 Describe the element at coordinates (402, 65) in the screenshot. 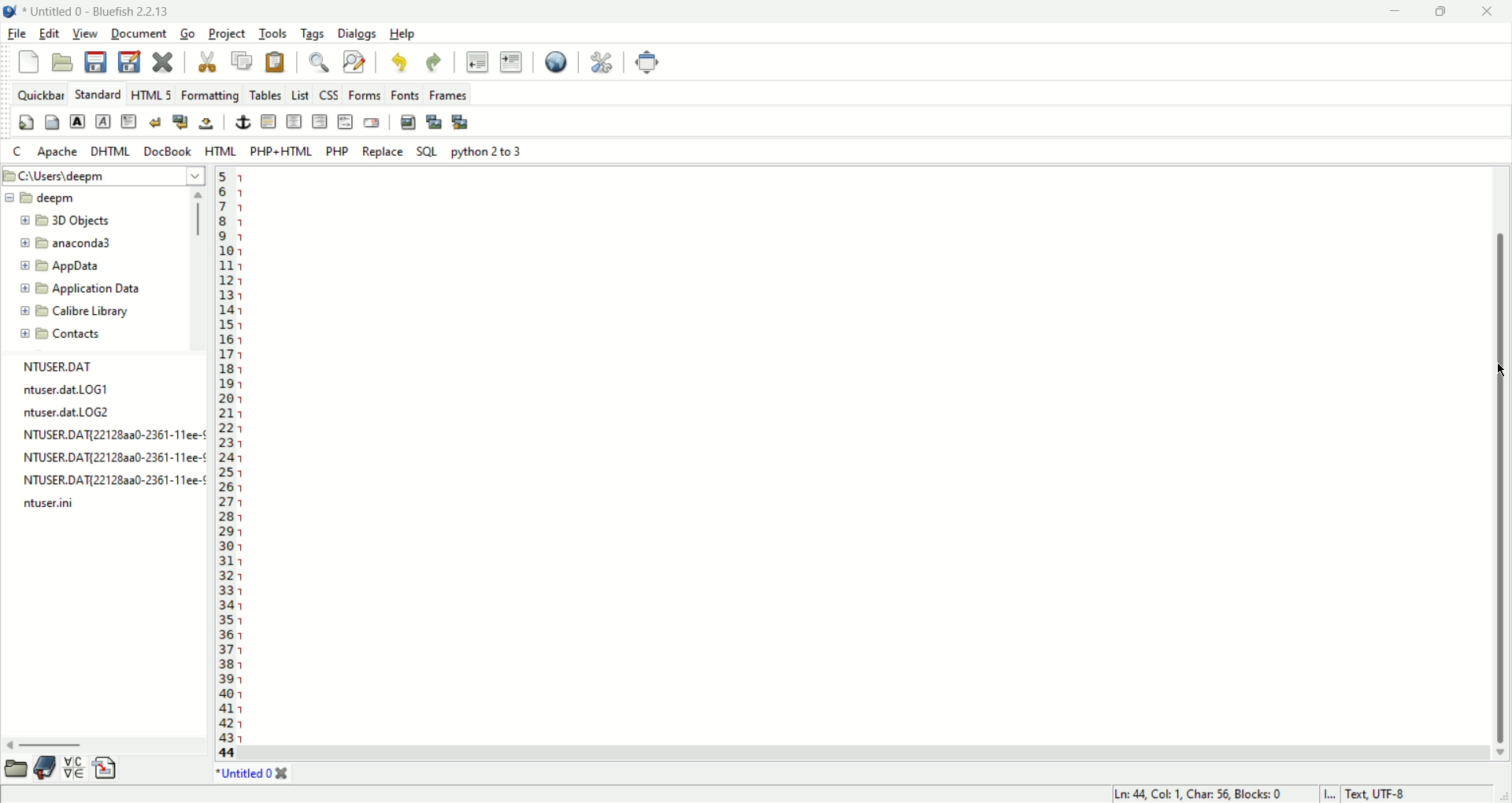

I see `undo` at that location.